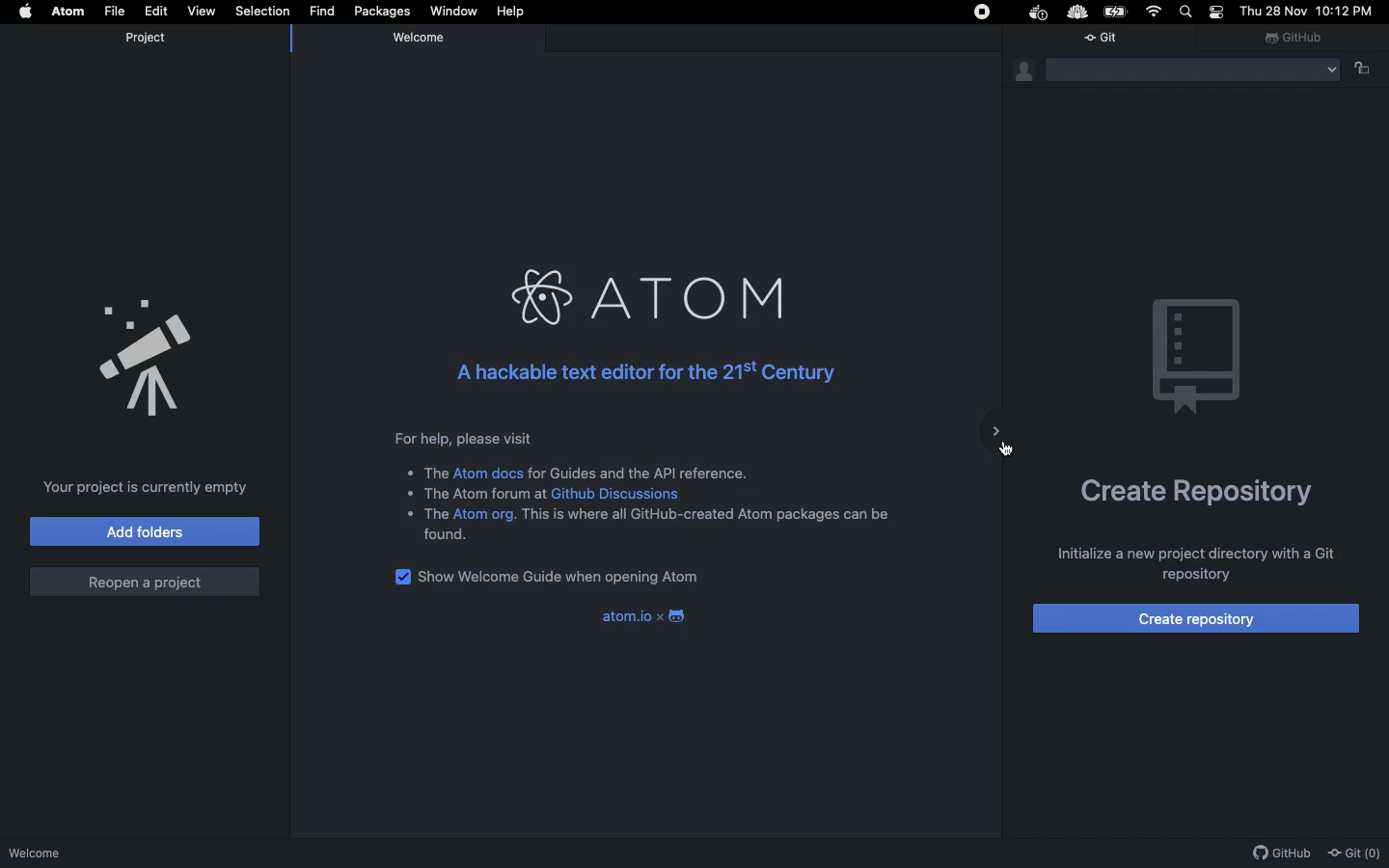  Describe the element at coordinates (322, 12) in the screenshot. I see `Find` at that location.